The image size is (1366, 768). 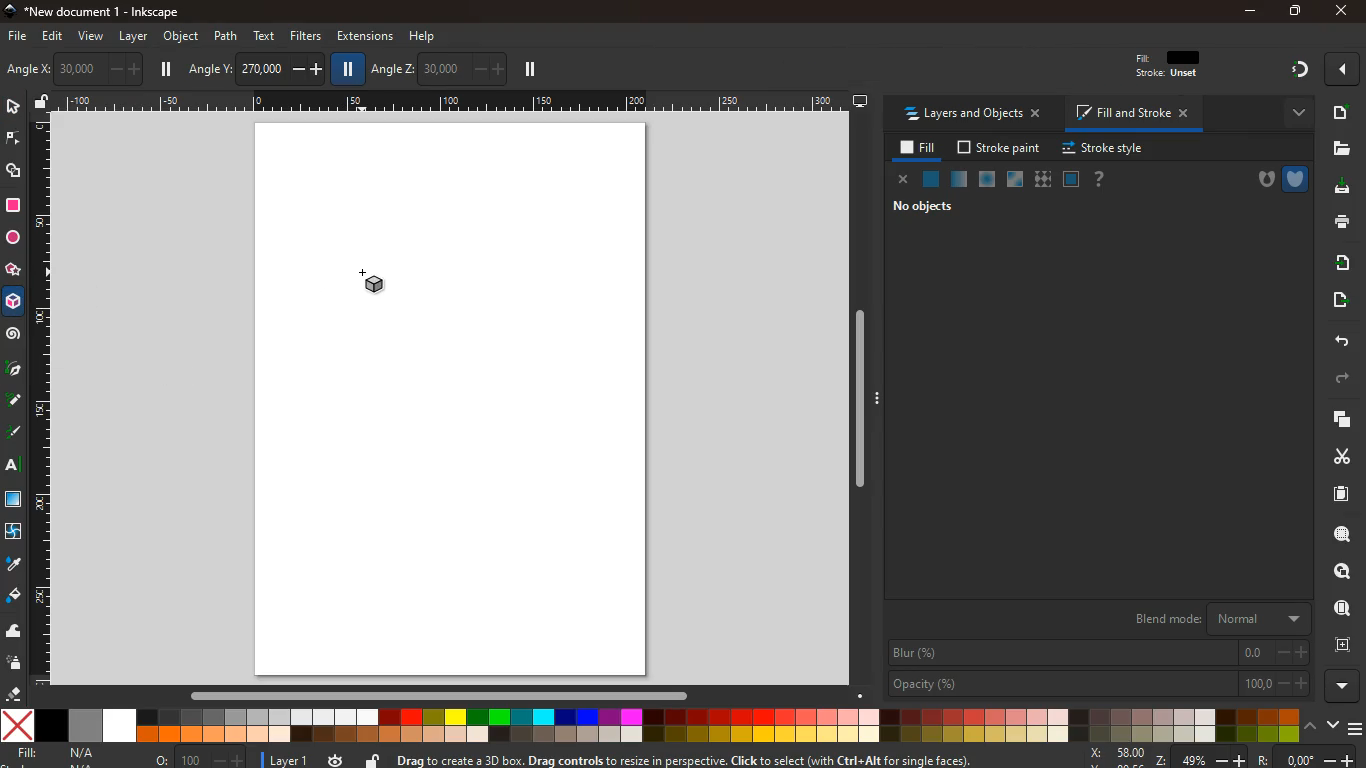 I want to click on armour, so click(x=1295, y=178).